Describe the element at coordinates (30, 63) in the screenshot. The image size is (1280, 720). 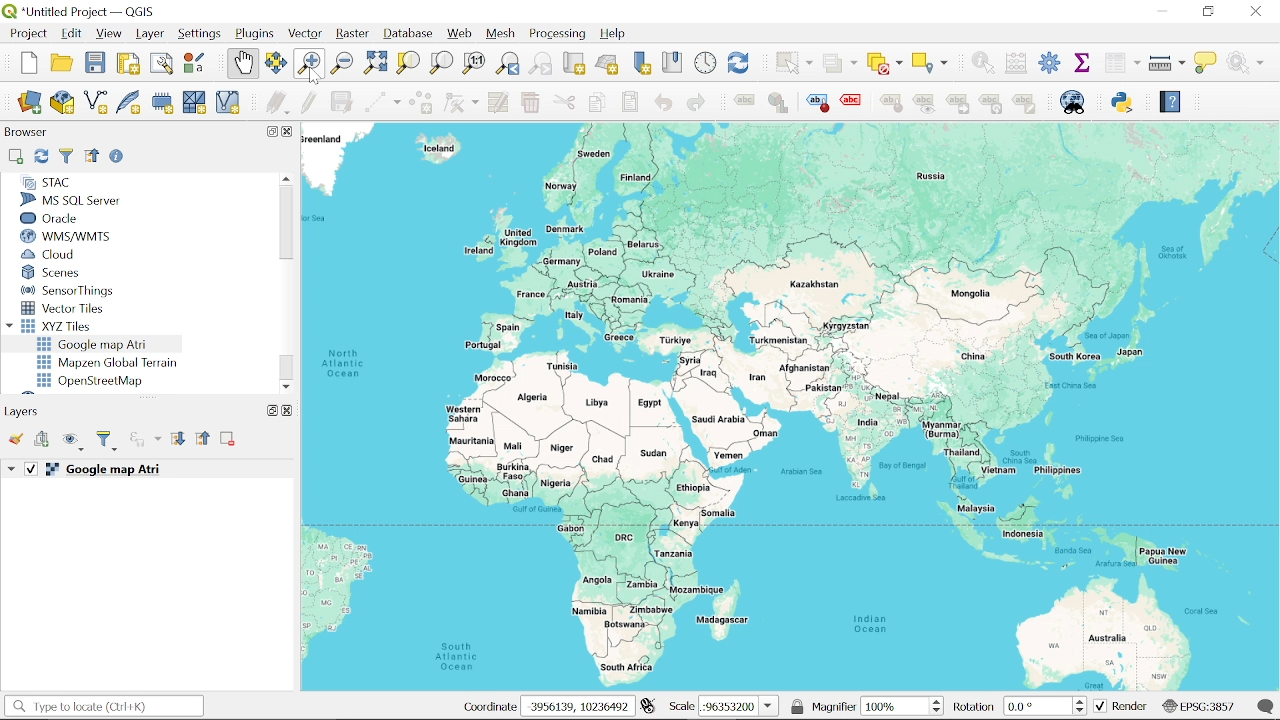
I see `New project` at that location.